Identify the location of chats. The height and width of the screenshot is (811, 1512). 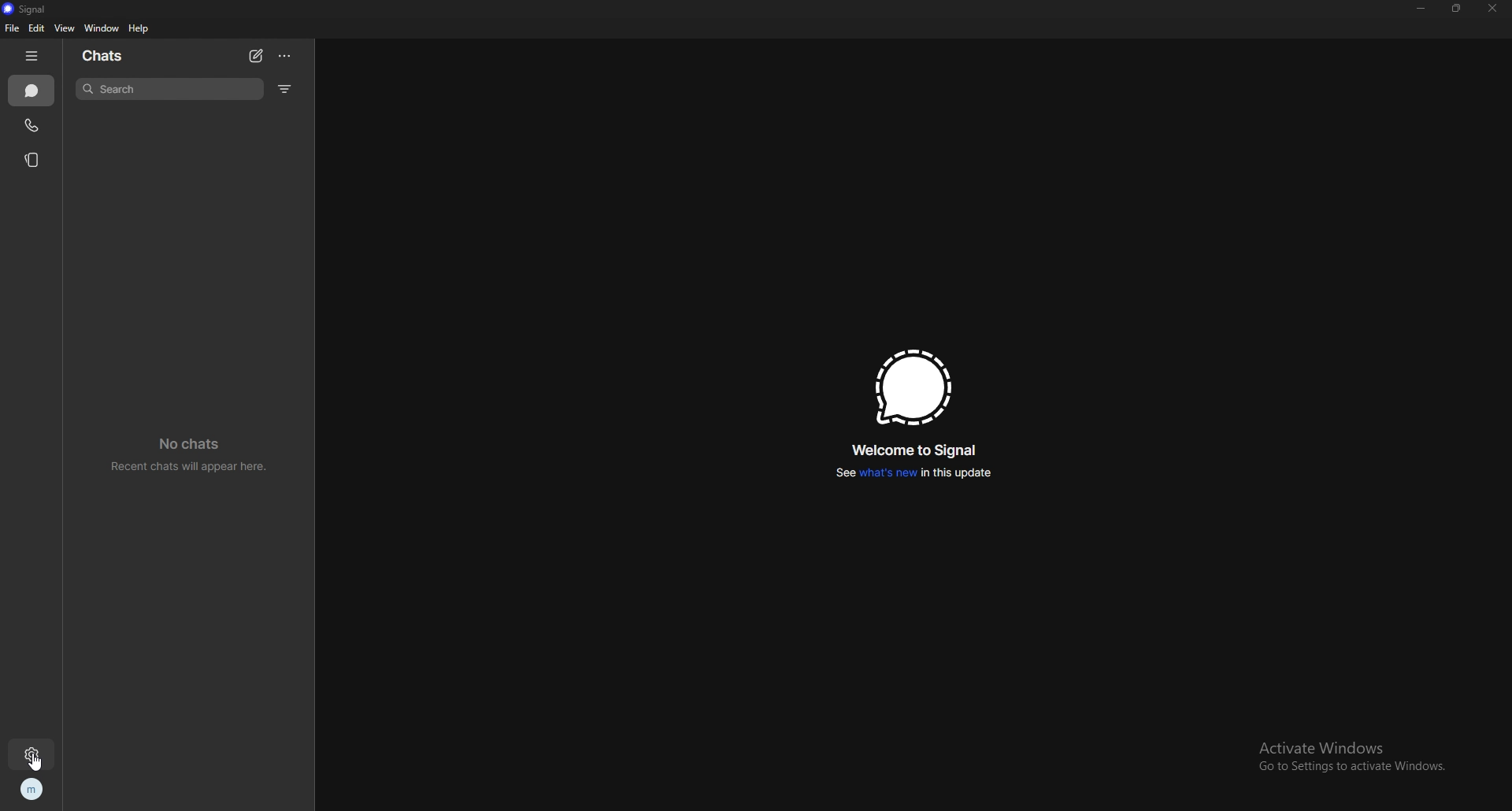
(122, 54).